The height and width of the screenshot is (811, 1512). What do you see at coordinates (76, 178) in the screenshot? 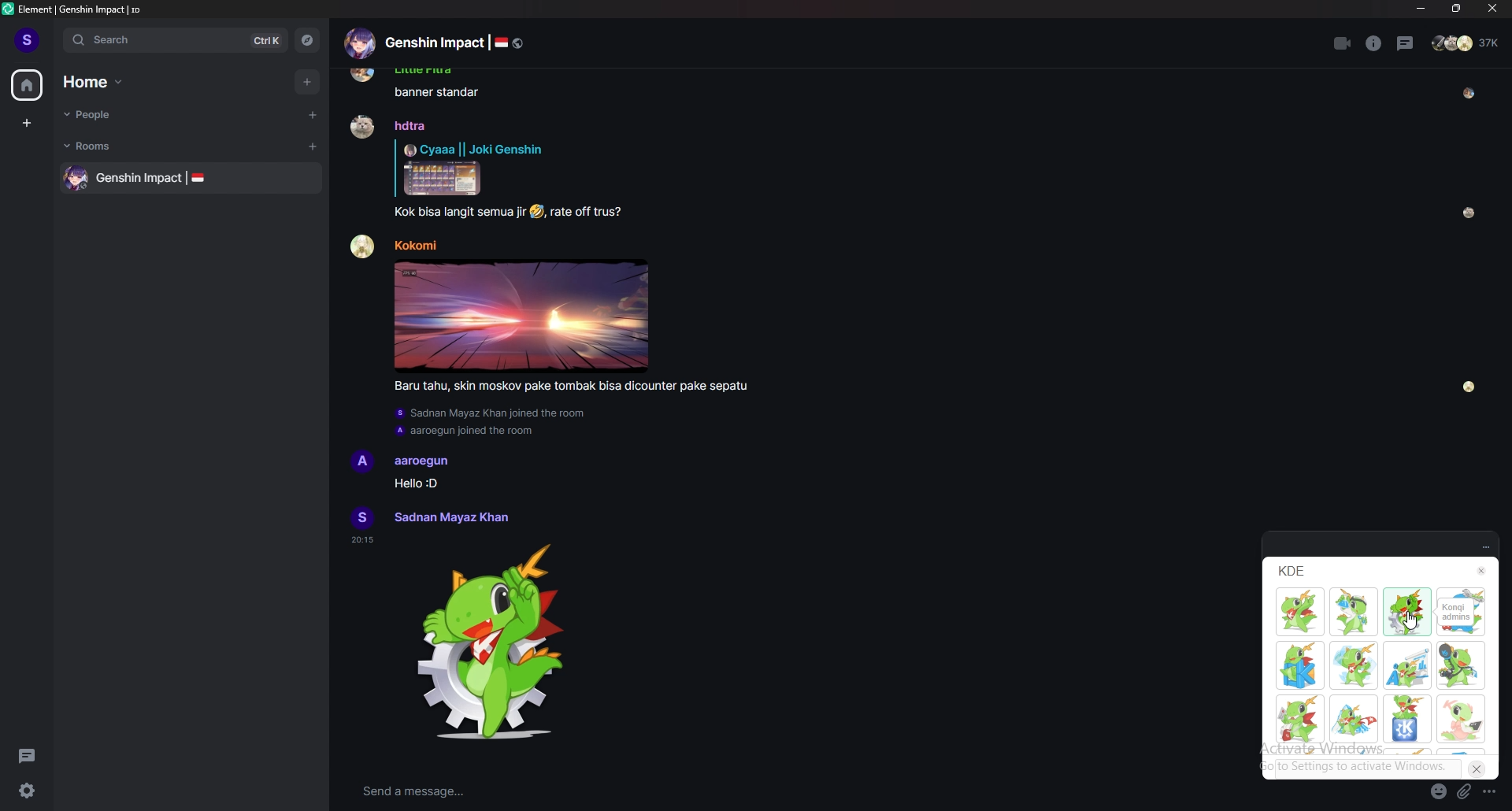
I see `Profile picture of group` at bounding box center [76, 178].